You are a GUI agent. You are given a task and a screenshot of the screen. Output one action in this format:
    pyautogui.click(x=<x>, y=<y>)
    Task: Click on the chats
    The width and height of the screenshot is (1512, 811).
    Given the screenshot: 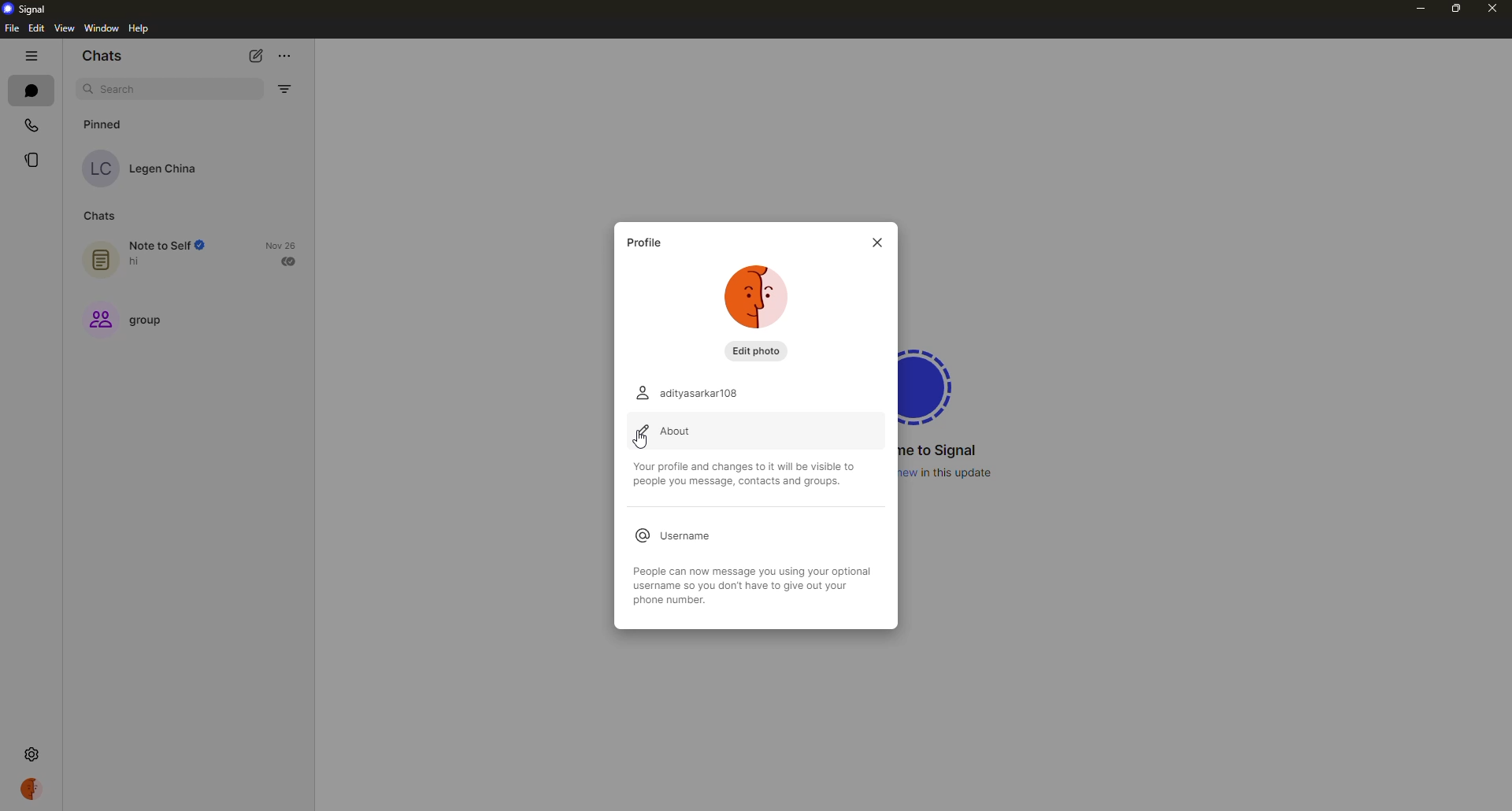 What is the action you would take?
    pyautogui.click(x=104, y=57)
    